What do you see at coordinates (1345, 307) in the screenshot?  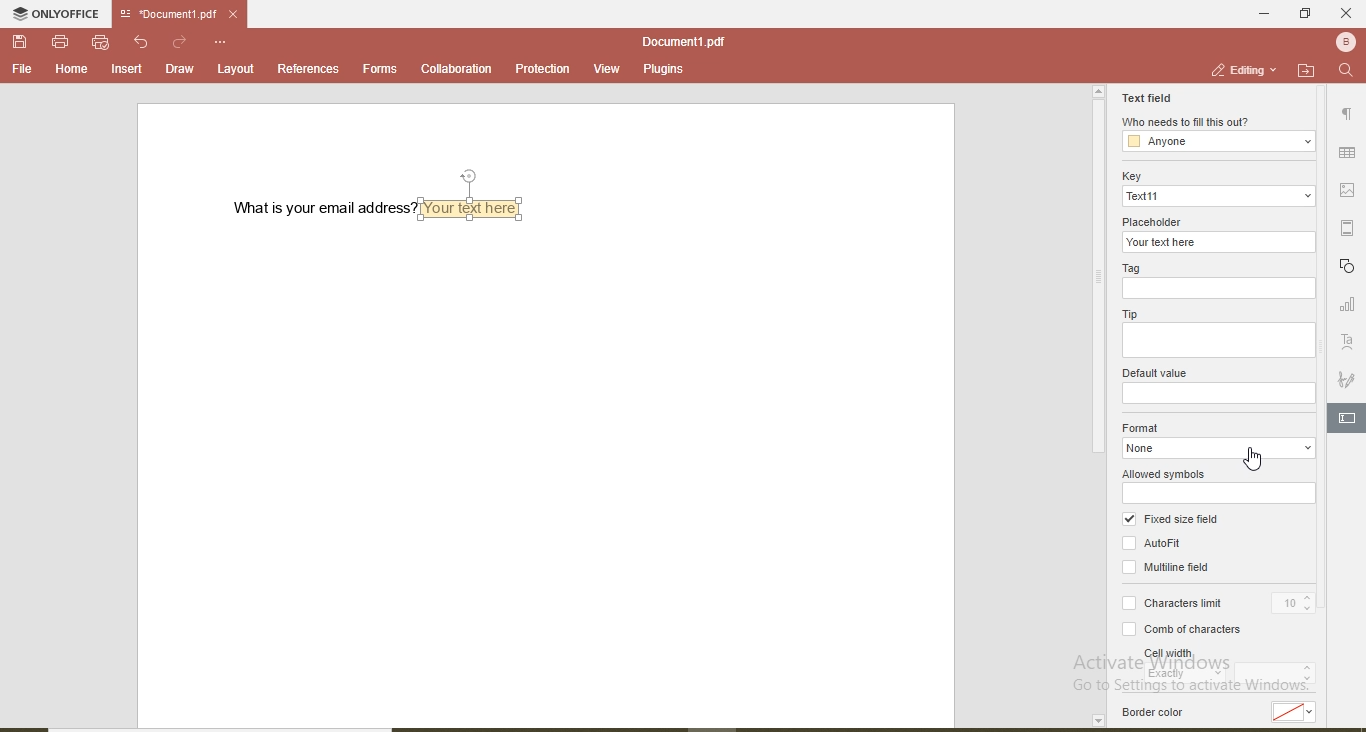 I see `graph` at bounding box center [1345, 307].